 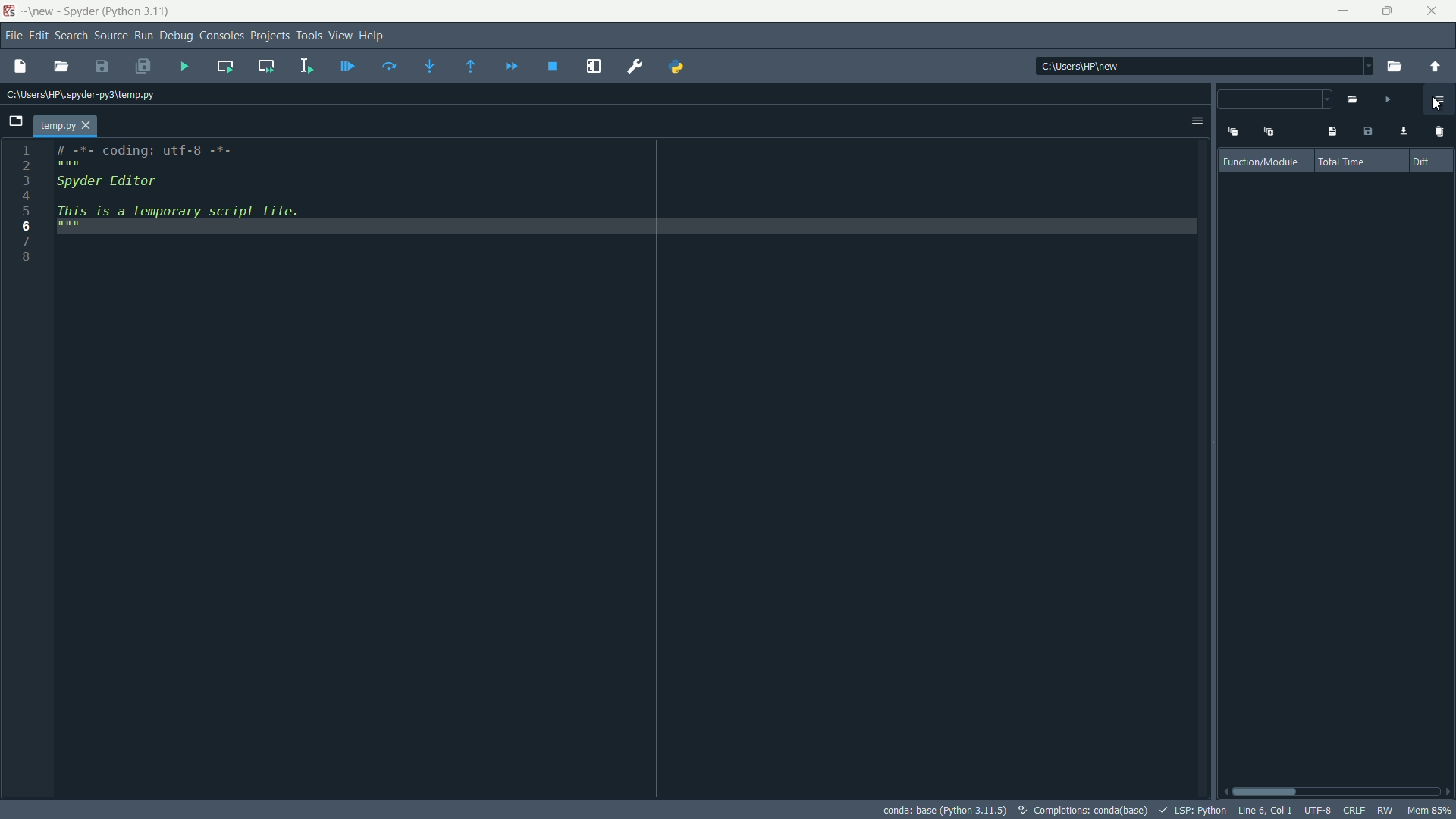 What do you see at coordinates (1268, 131) in the screenshot?
I see `expand one level down` at bounding box center [1268, 131].